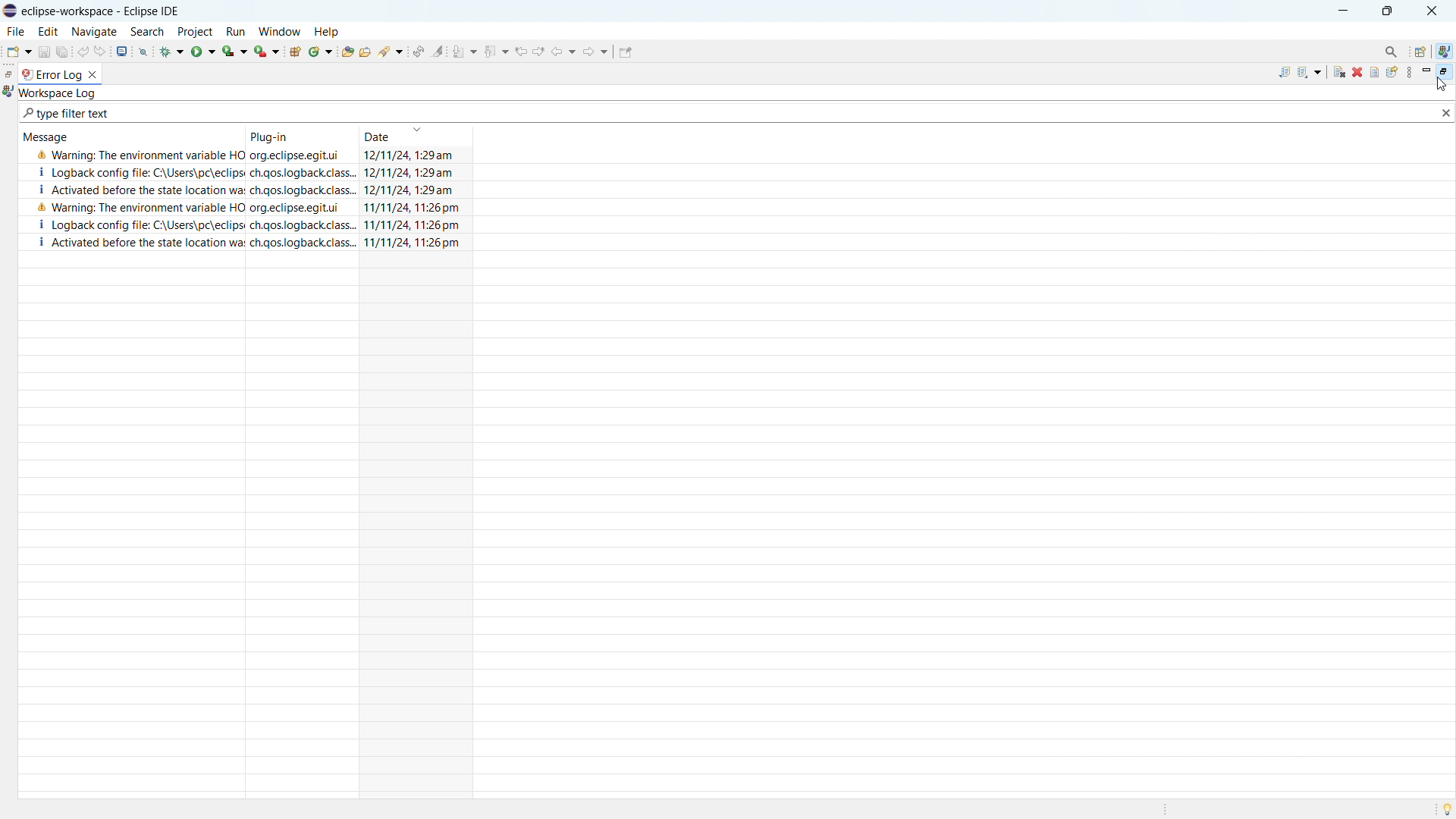  Describe the element at coordinates (595, 51) in the screenshot. I see `forward` at that location.